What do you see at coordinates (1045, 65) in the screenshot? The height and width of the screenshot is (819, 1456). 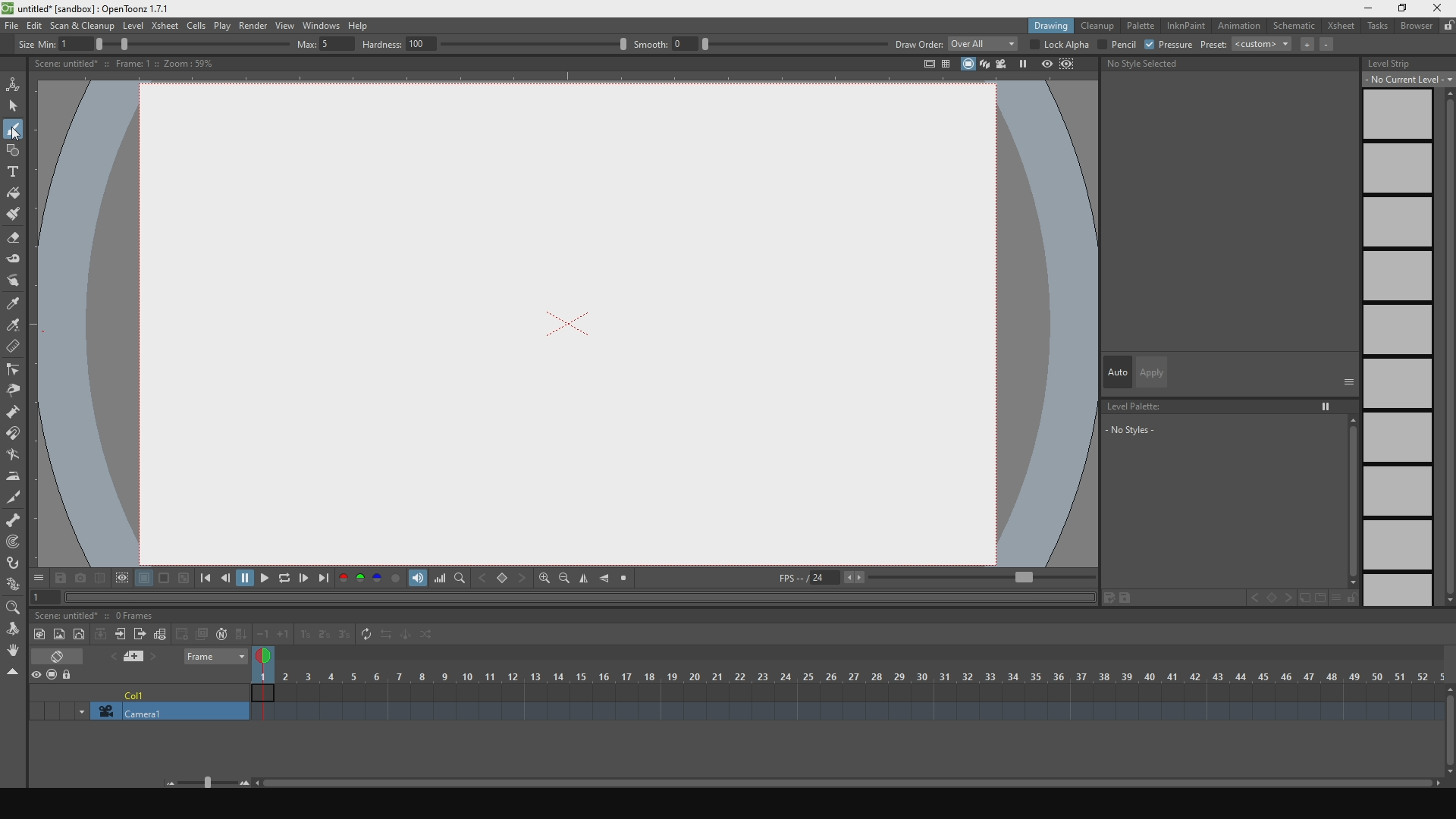 I see `preview` at bounding box center [1045, 65].